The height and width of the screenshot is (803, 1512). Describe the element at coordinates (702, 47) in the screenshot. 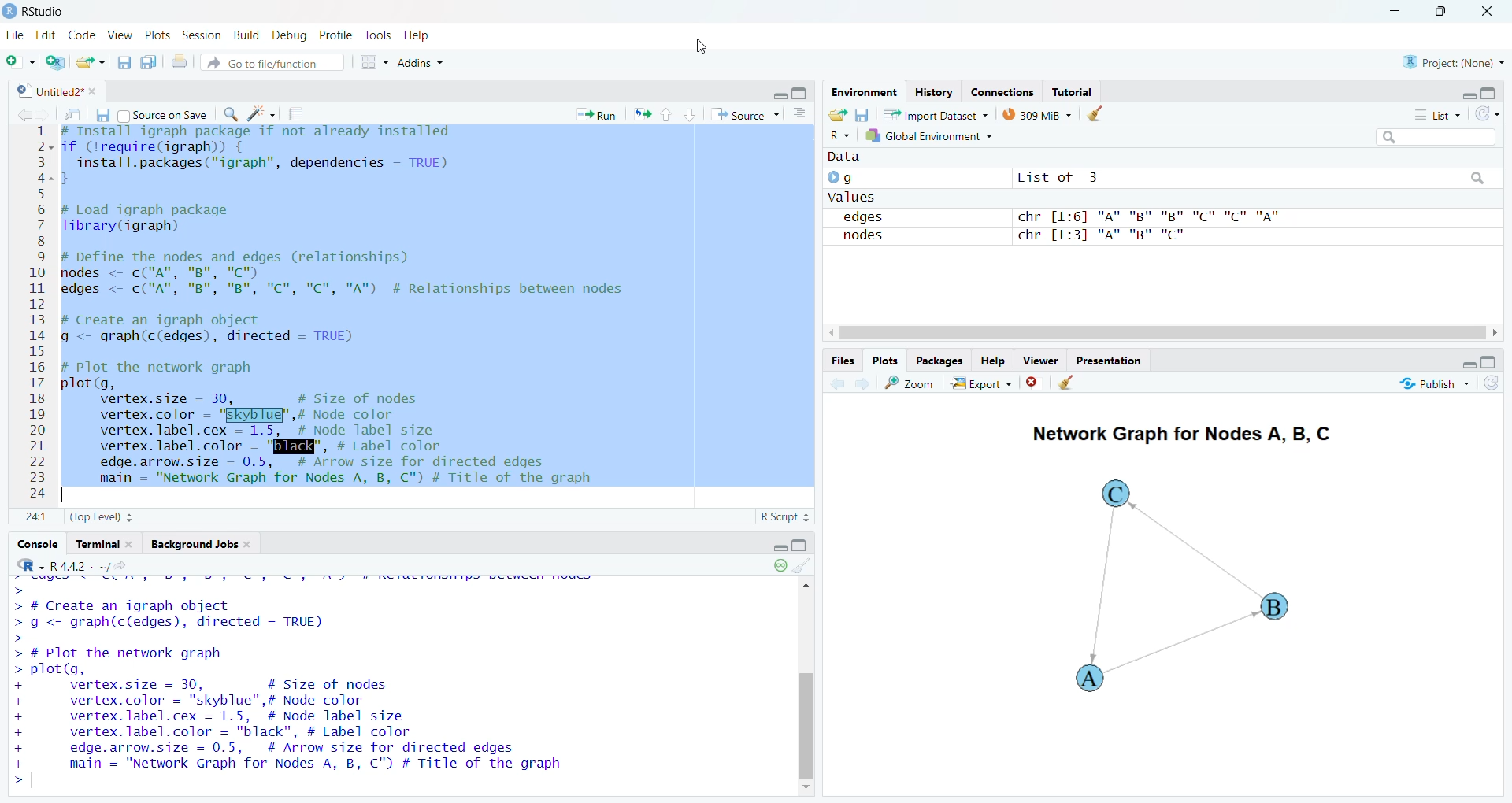

I see `cursor` at that location.